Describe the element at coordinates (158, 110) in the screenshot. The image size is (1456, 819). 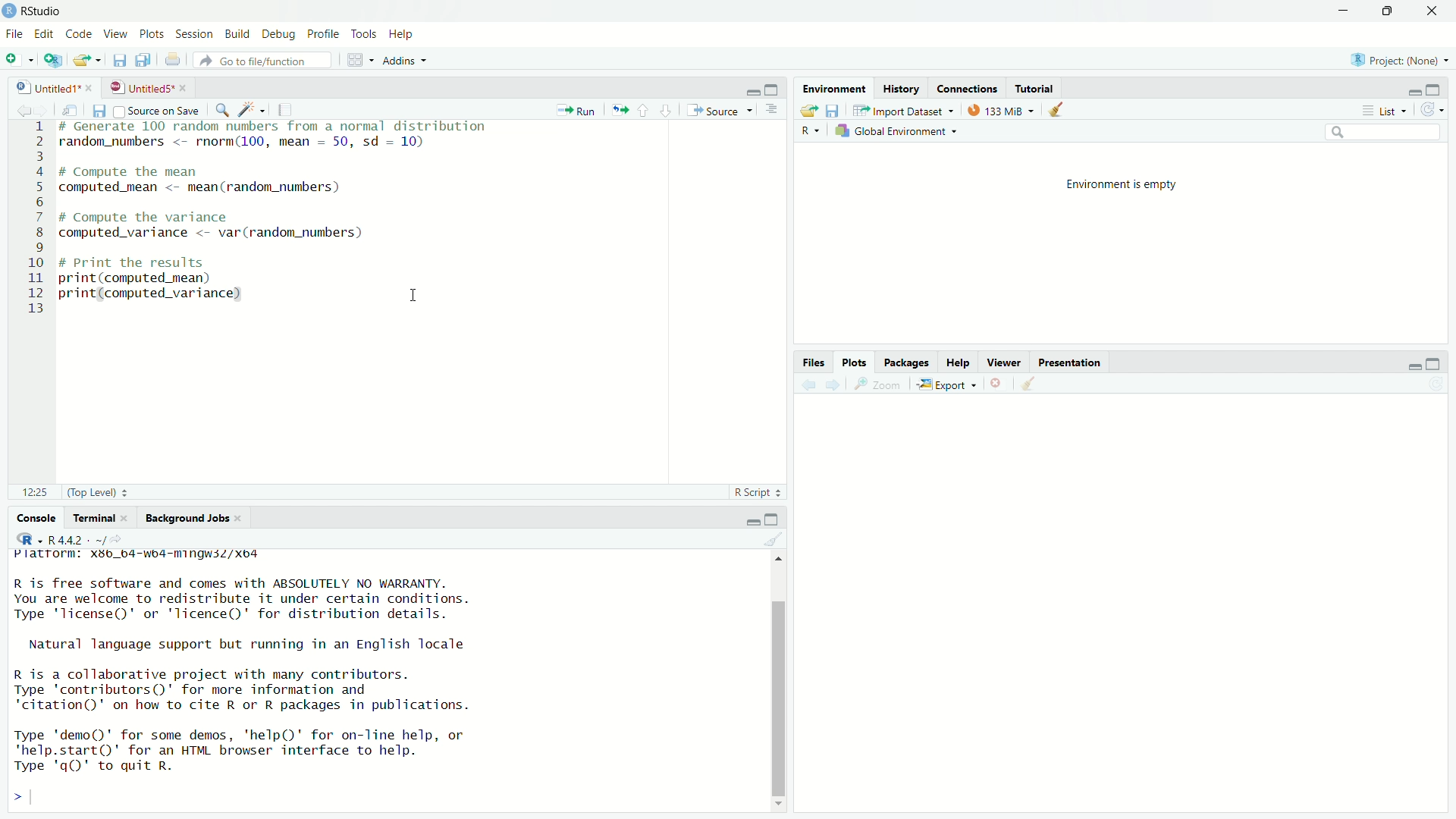
I see `source on save` at that location.